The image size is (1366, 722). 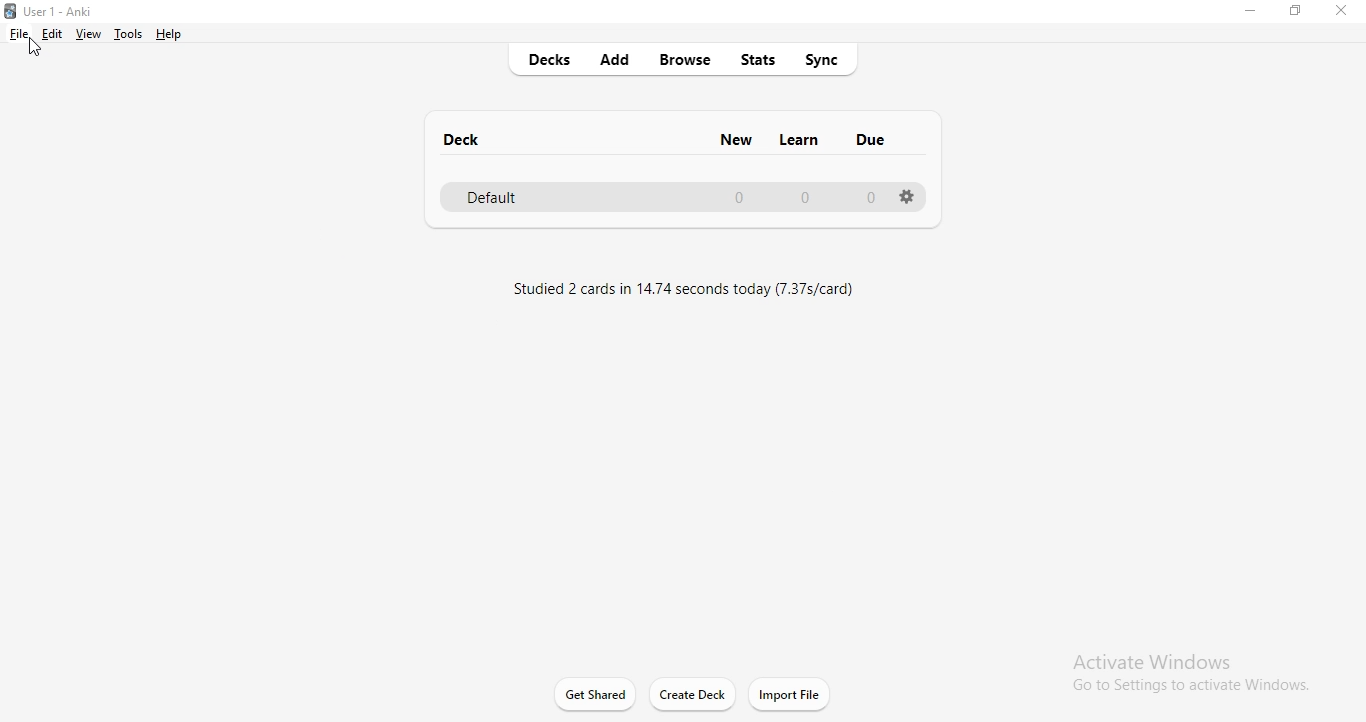 I want to click on view, so click(x=88, y=33).